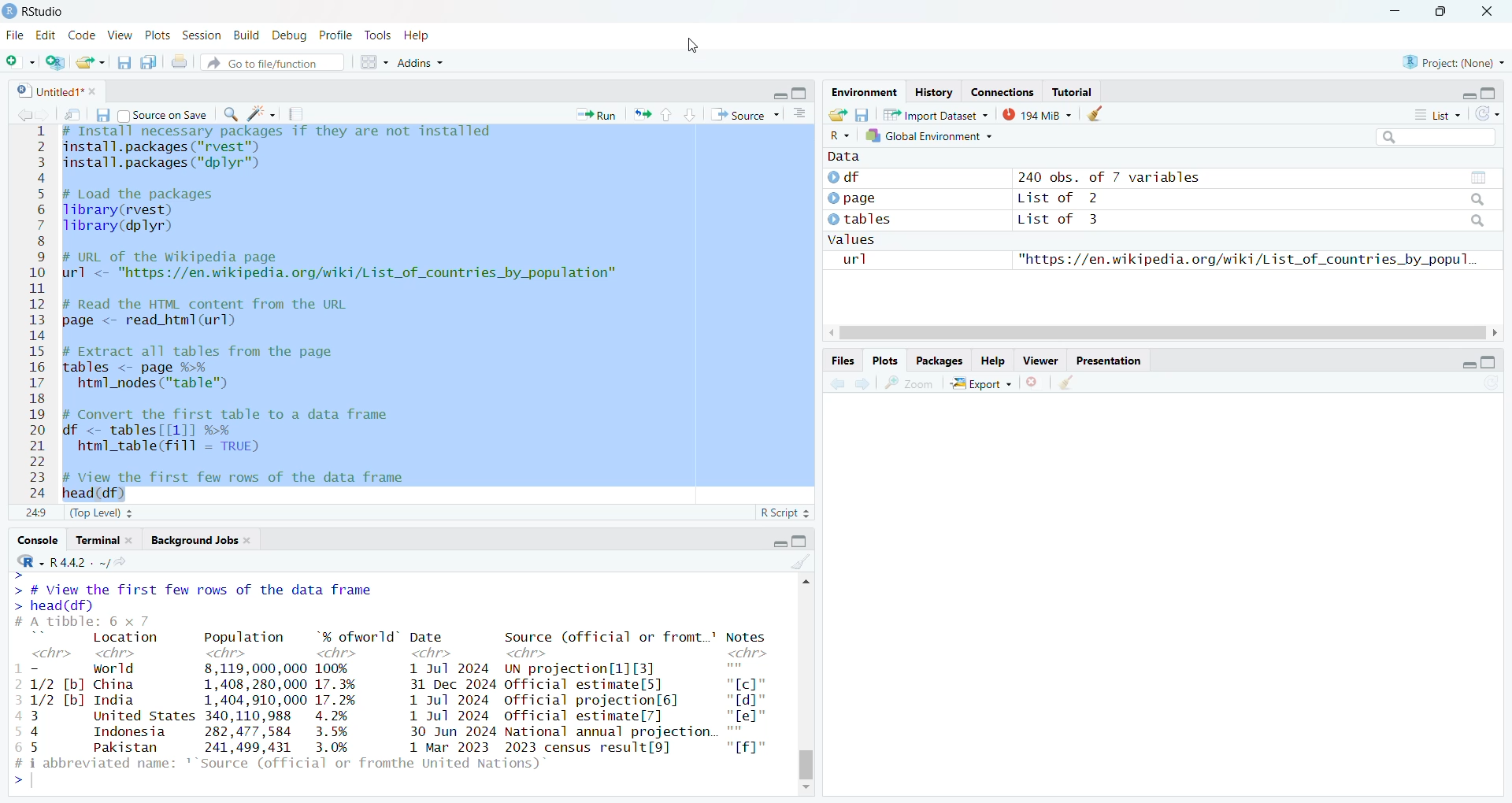 This screenshot has width=1512, height=803. Describe the element at coordinates (1065, 382) in the screenshot. I see `clear` at that location.